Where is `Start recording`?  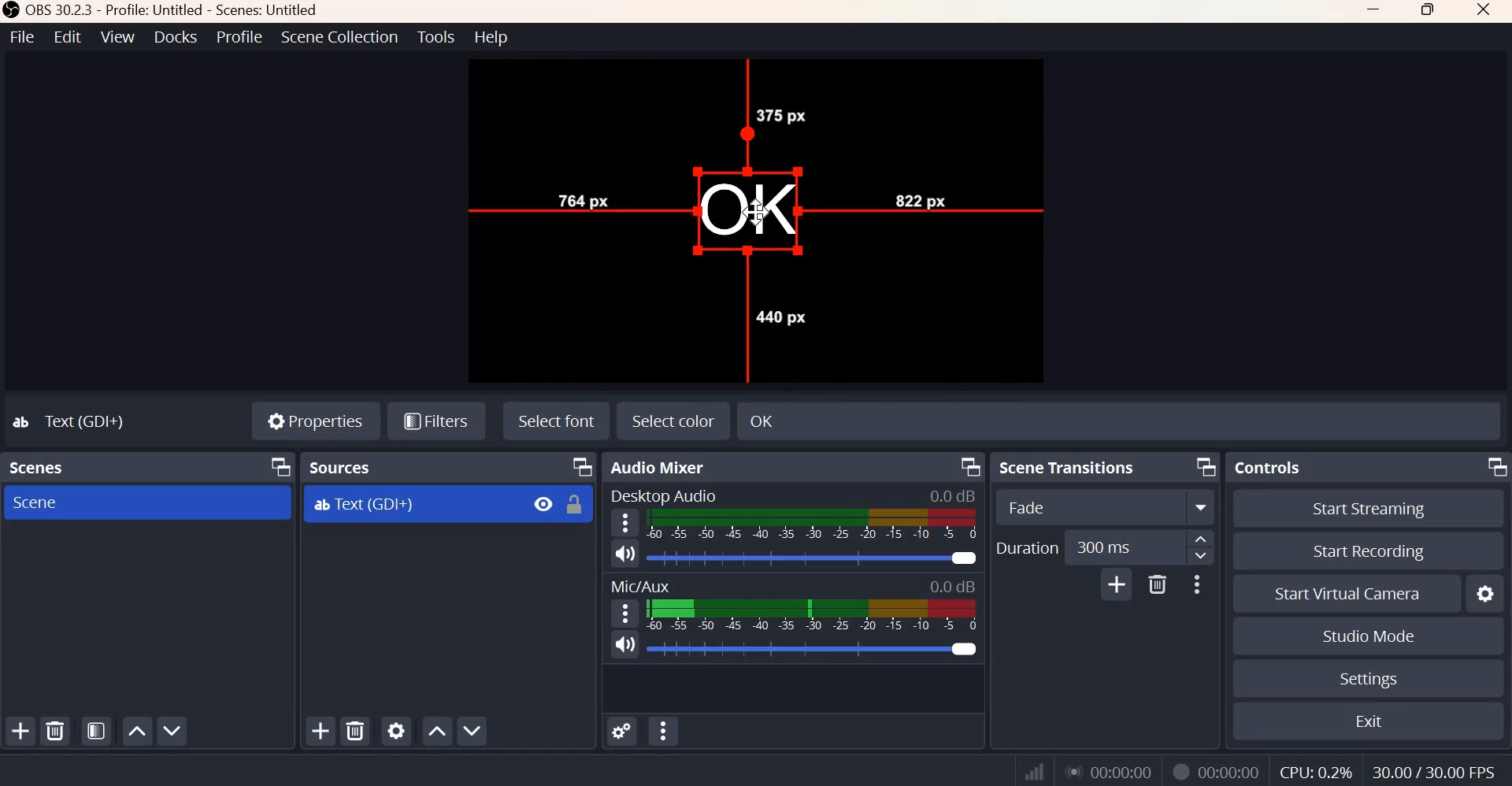 Start recording is located at coordinates (1369, 551).